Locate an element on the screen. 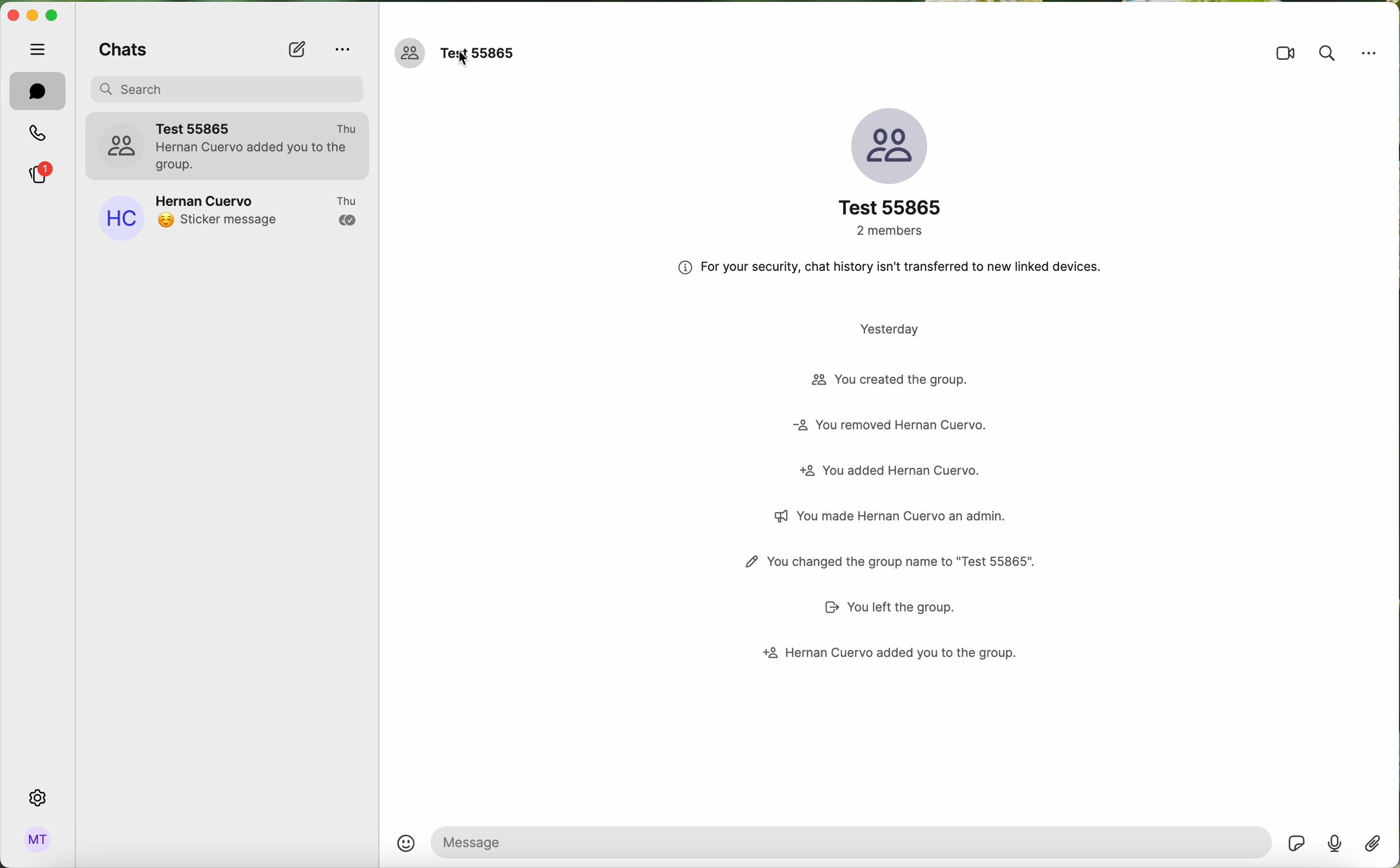 Image resolution: width=1400 pixels, height=868 pixels. search bar is located at coordinates (231, 87).